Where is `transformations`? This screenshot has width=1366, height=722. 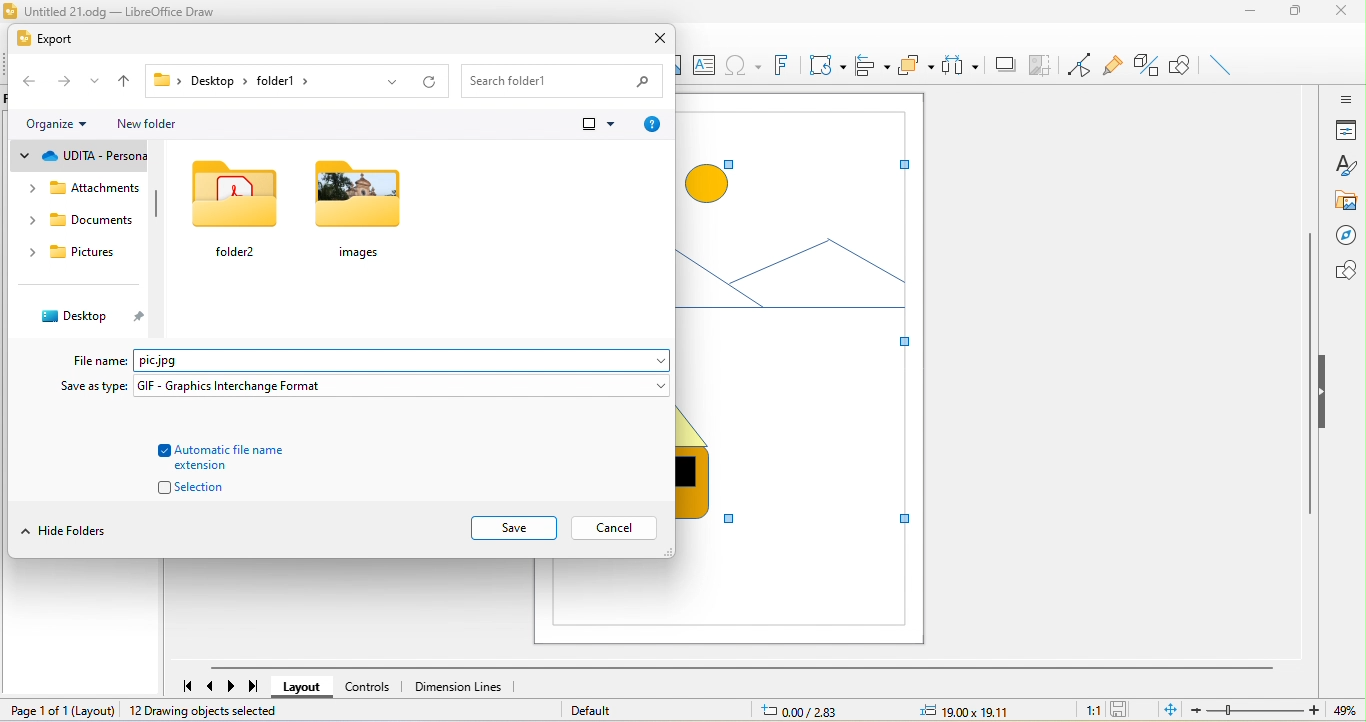 transformations is located at coordinates (826, 66).